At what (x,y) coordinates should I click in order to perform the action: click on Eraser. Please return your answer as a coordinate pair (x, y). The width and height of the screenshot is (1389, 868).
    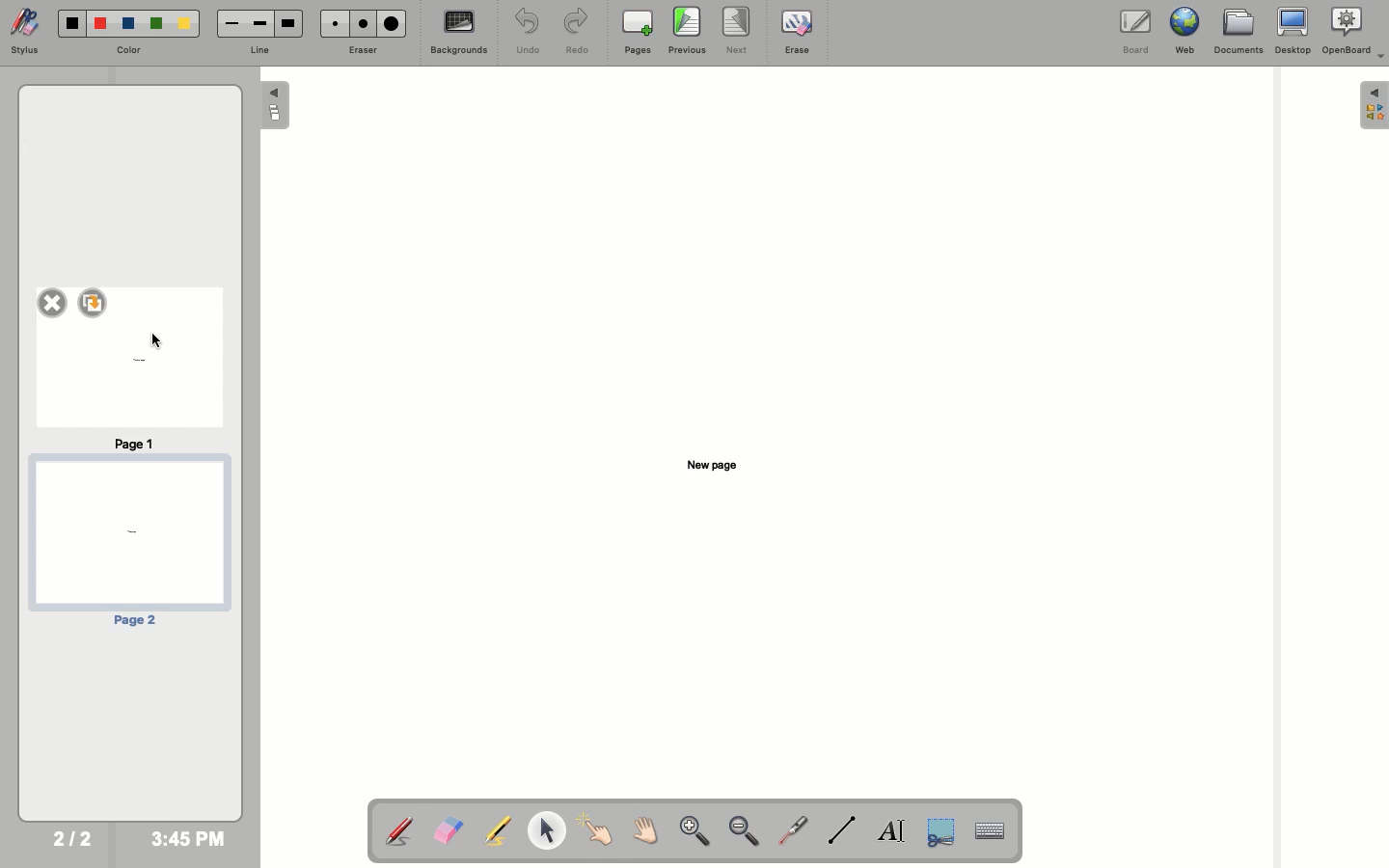
    Looking at the image, I should click on (360, 51).